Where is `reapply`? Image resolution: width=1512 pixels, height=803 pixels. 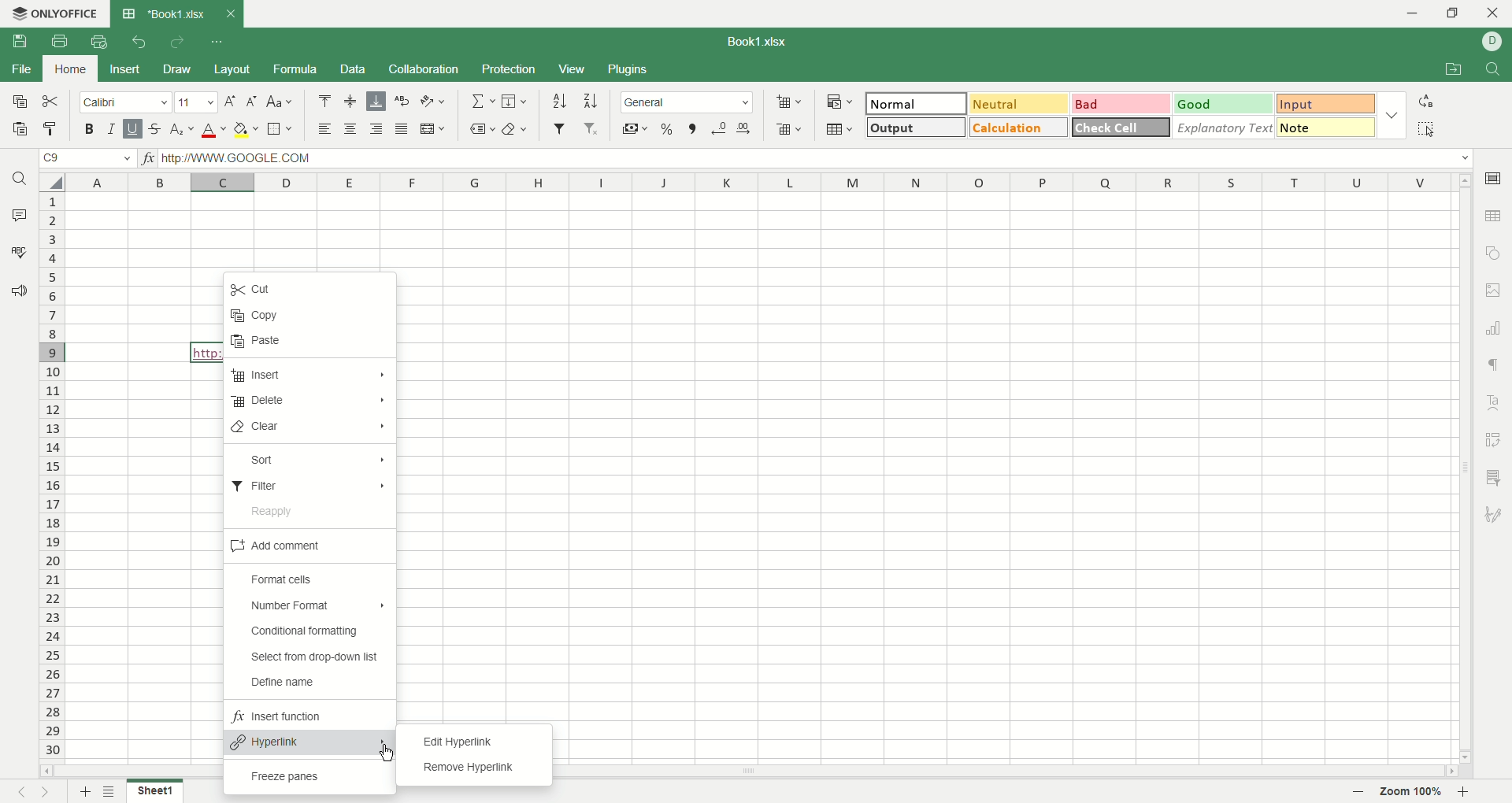 reapply is located at coordinates (280, 513).